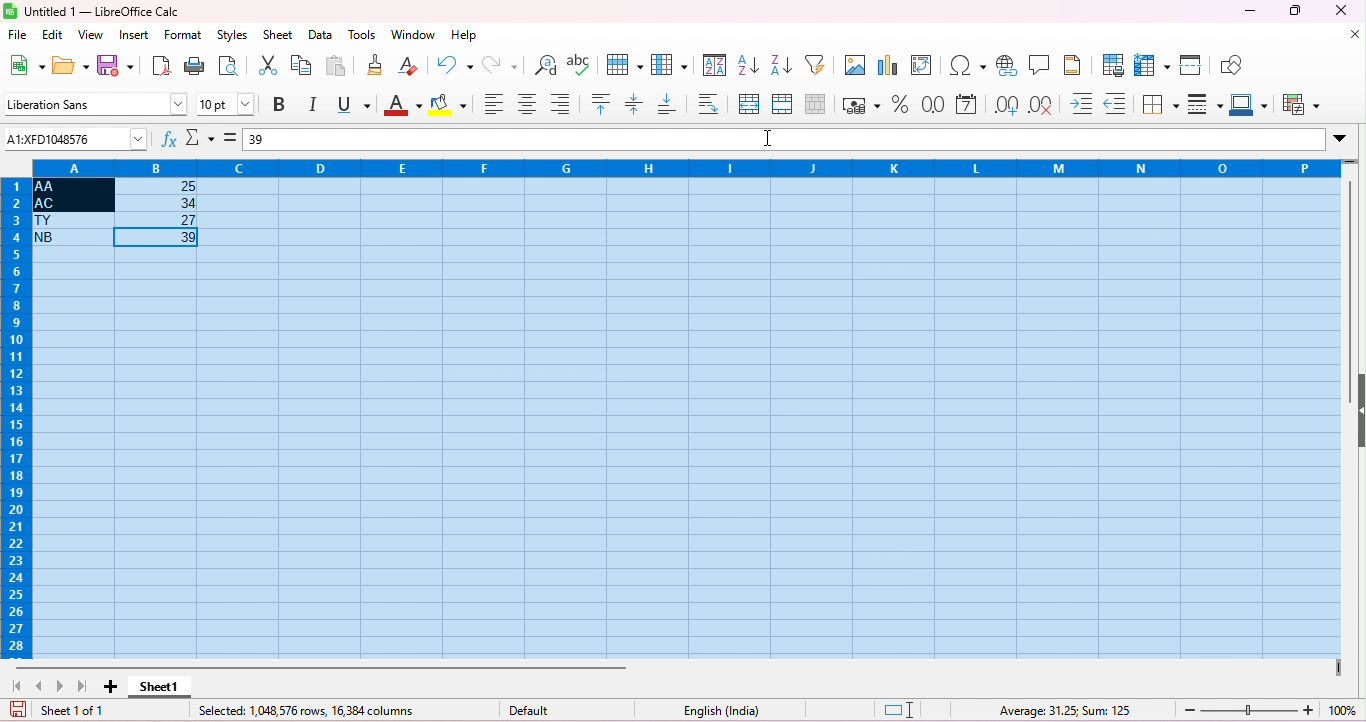 This screenshot has width=1366, height=722. What do you see at coordinates (323, 667) in the screenshot?
I see `horizontal scroll bar` at bounding box center [323, 667].